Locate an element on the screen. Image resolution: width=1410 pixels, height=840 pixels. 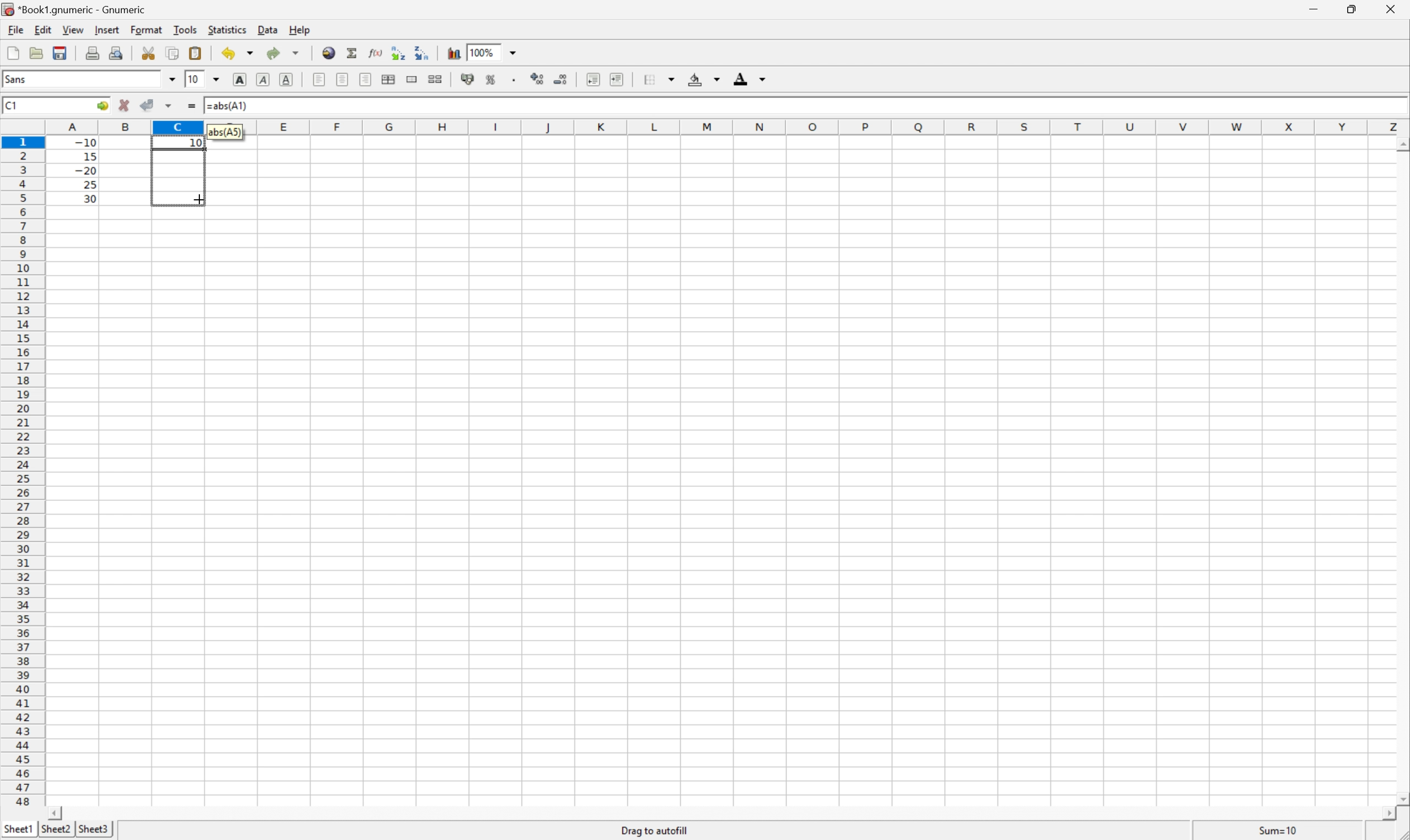
Scroll down is located at coordinates (1401, 797).